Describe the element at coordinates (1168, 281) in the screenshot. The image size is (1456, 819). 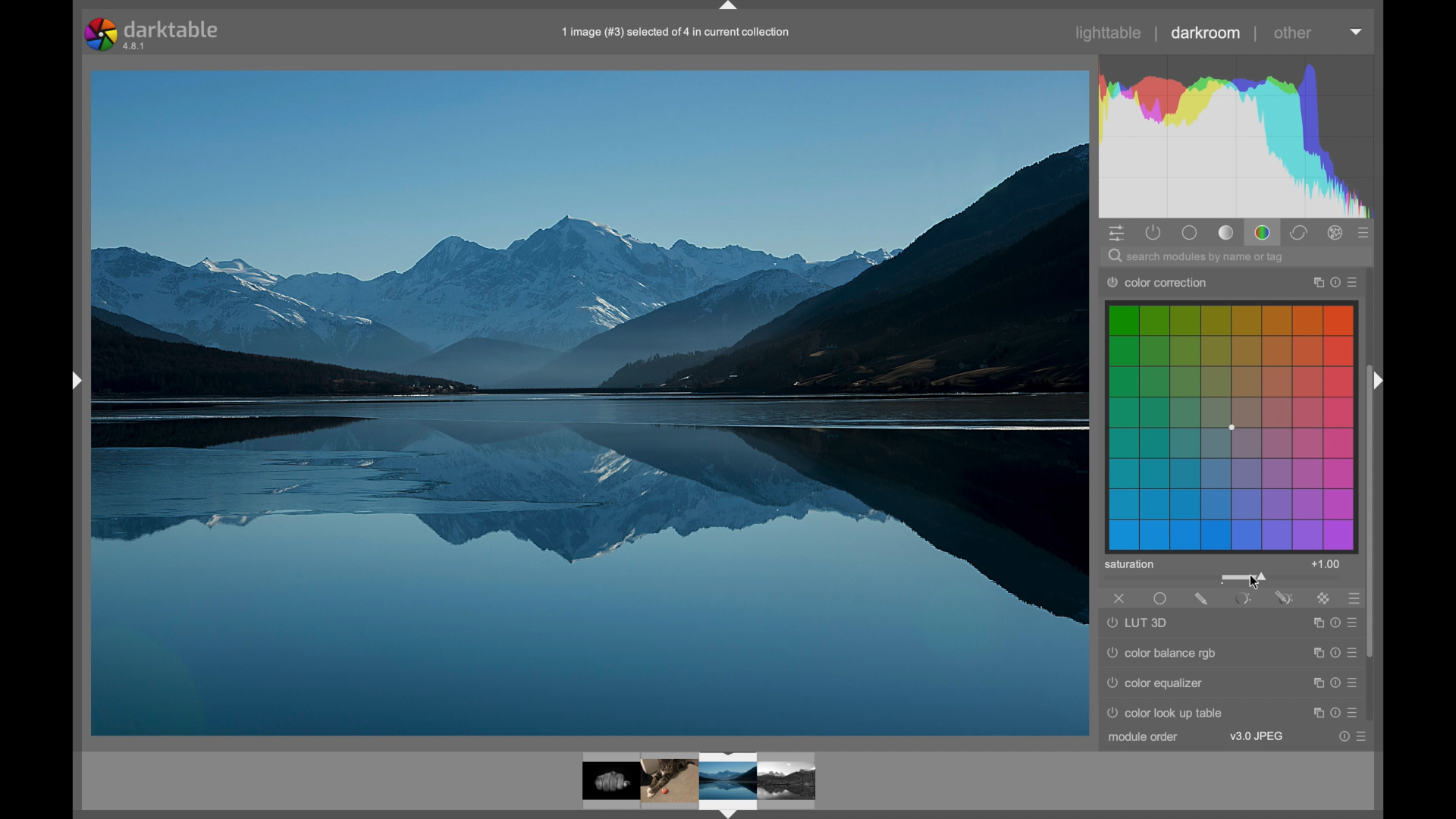
I see `output color profile` at that location.